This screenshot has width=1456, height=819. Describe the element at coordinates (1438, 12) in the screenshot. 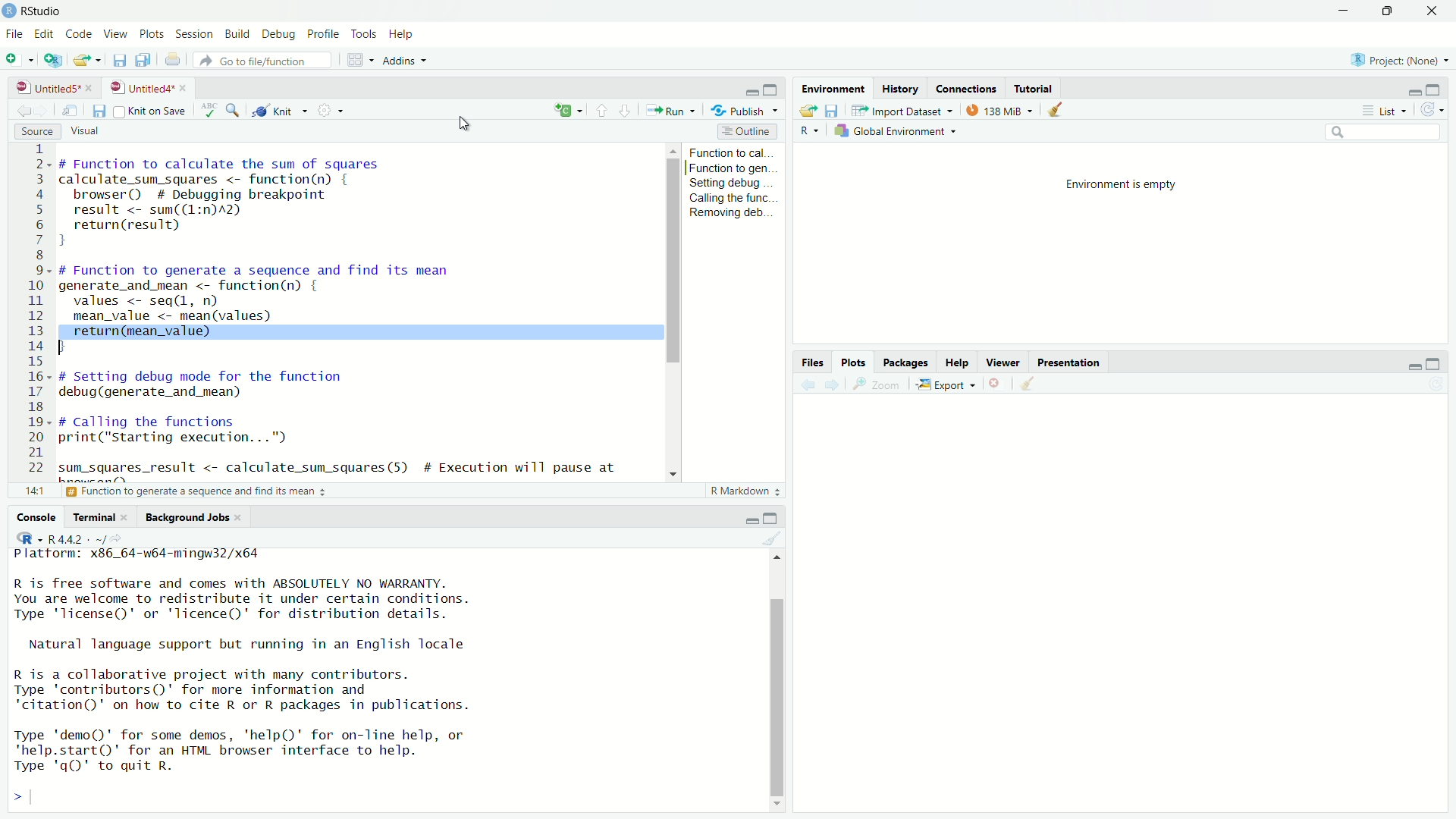

I see `close` at that location.